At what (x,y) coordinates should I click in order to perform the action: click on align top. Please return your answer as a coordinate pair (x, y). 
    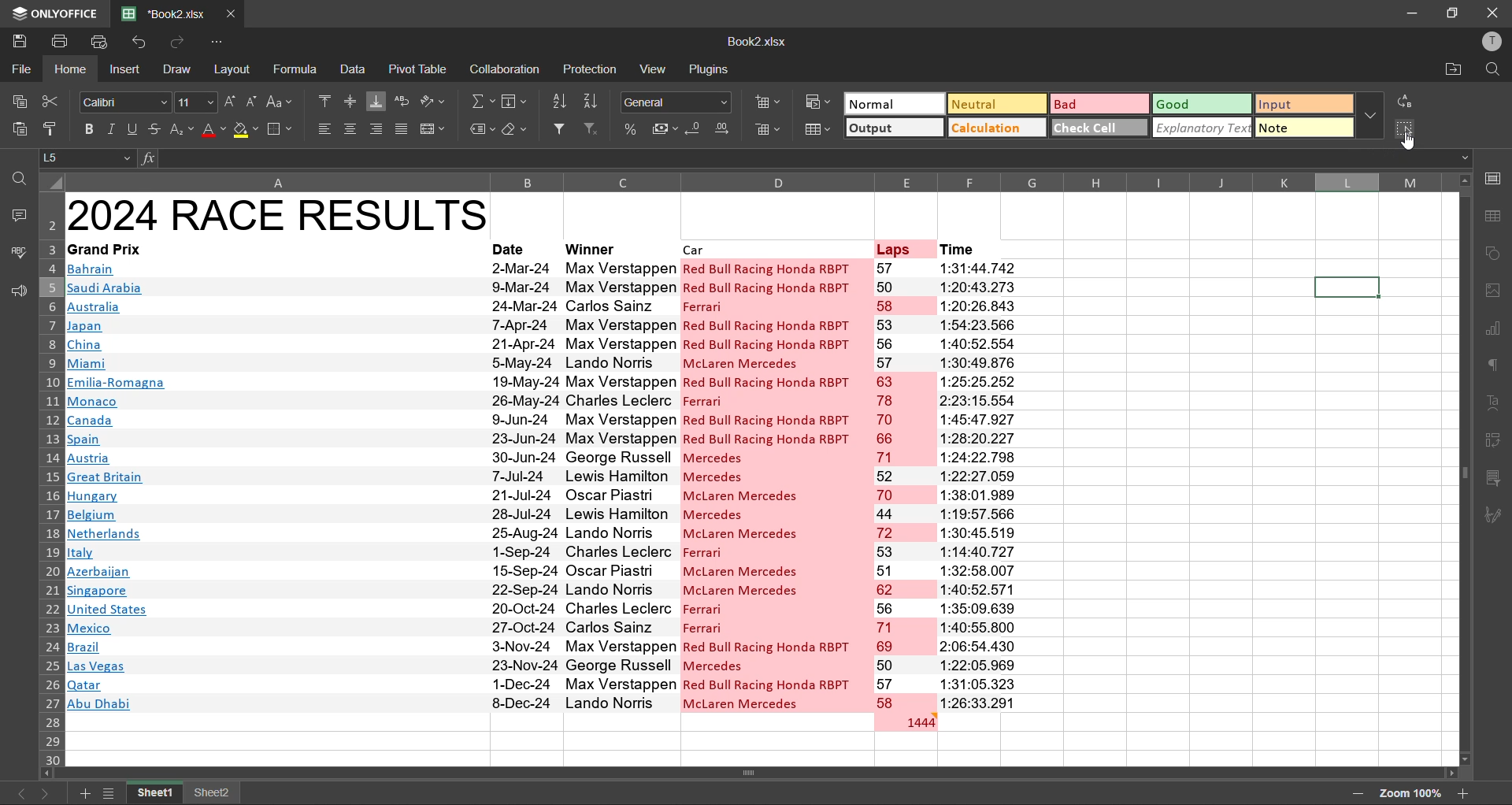
    Looking at the image, I should click on (324, 101).